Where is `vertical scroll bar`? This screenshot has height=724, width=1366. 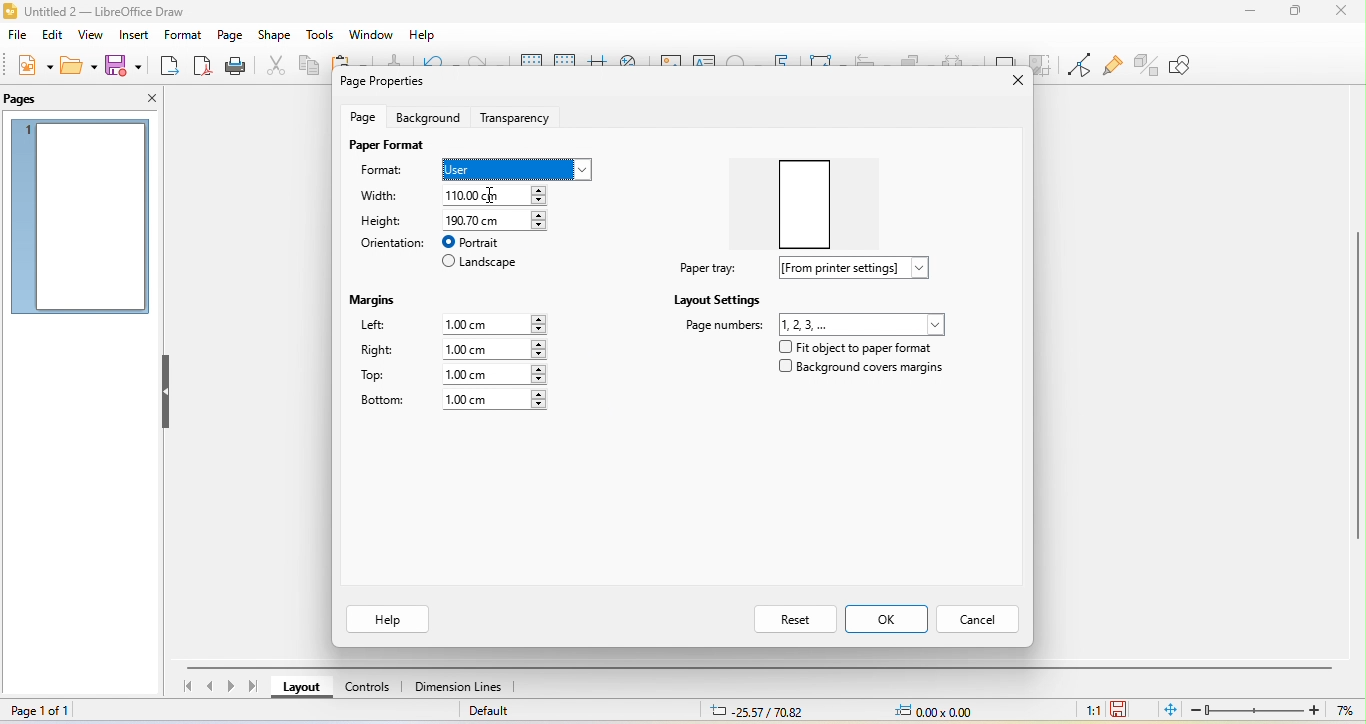
vertical scroll bar is located at coordinates (1357, 380).